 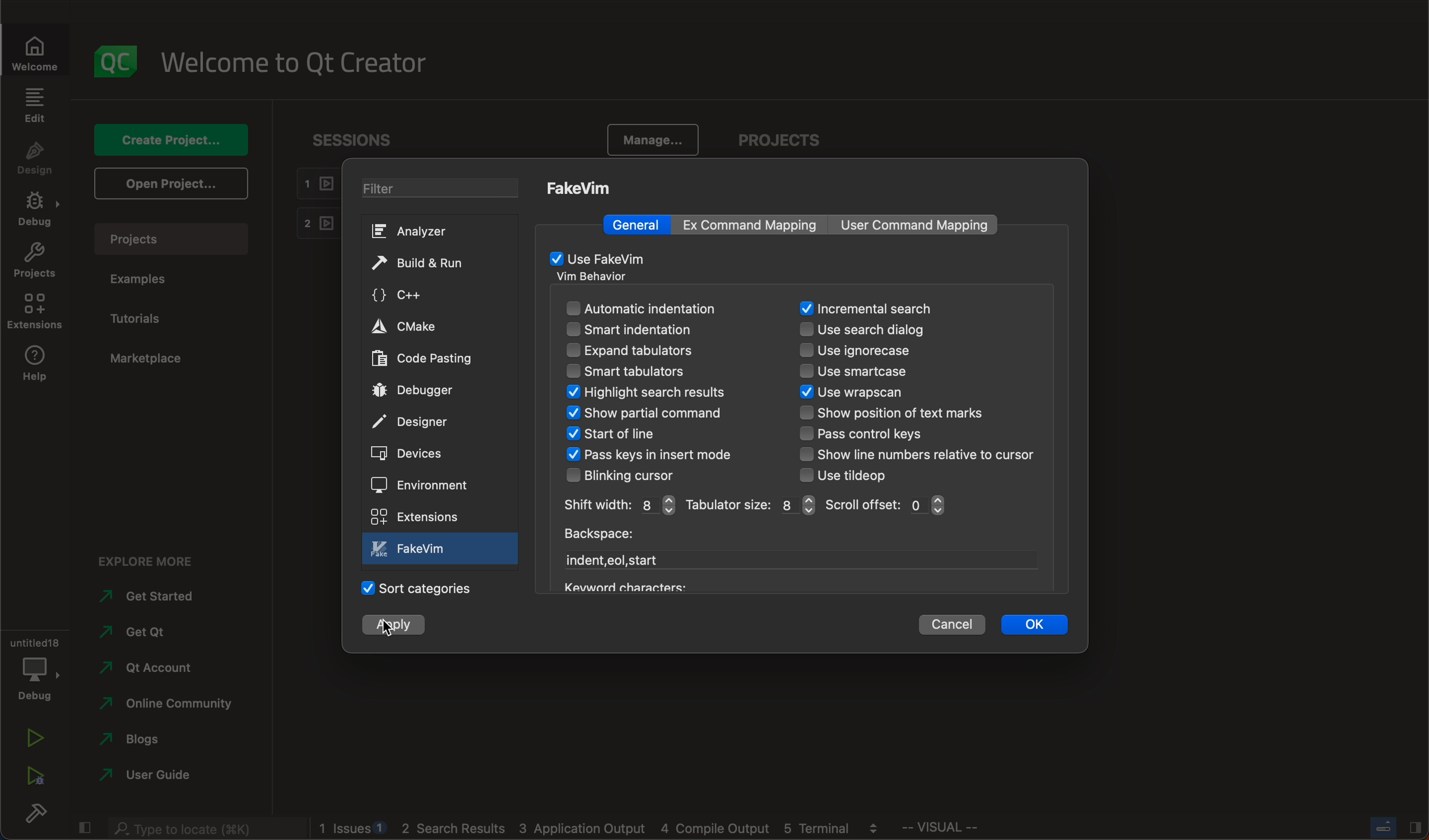 I want to click on manage, so click(x=654, y=142).